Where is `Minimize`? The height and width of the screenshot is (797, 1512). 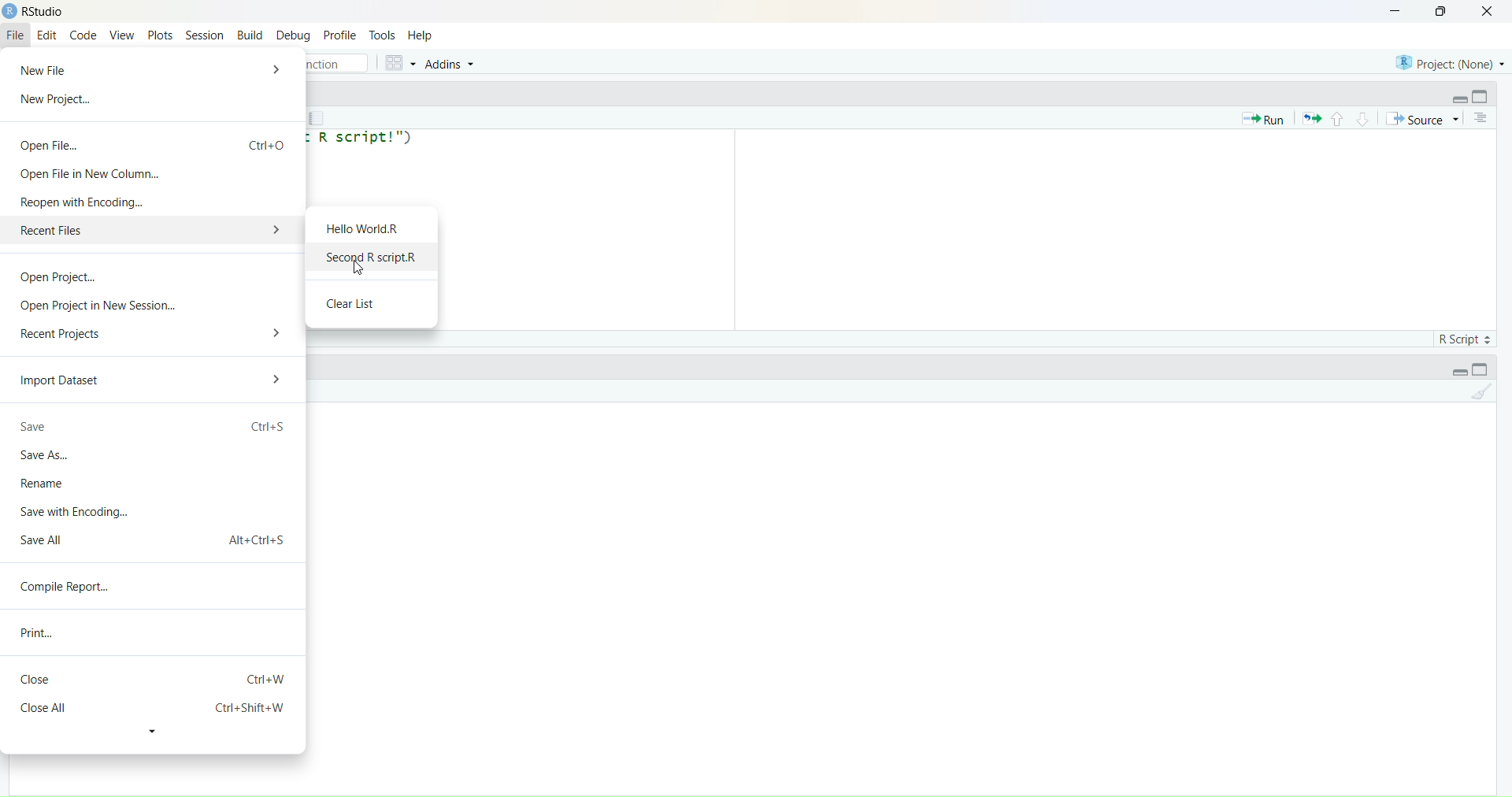
Minimize is located at coordinates (1459, 373).